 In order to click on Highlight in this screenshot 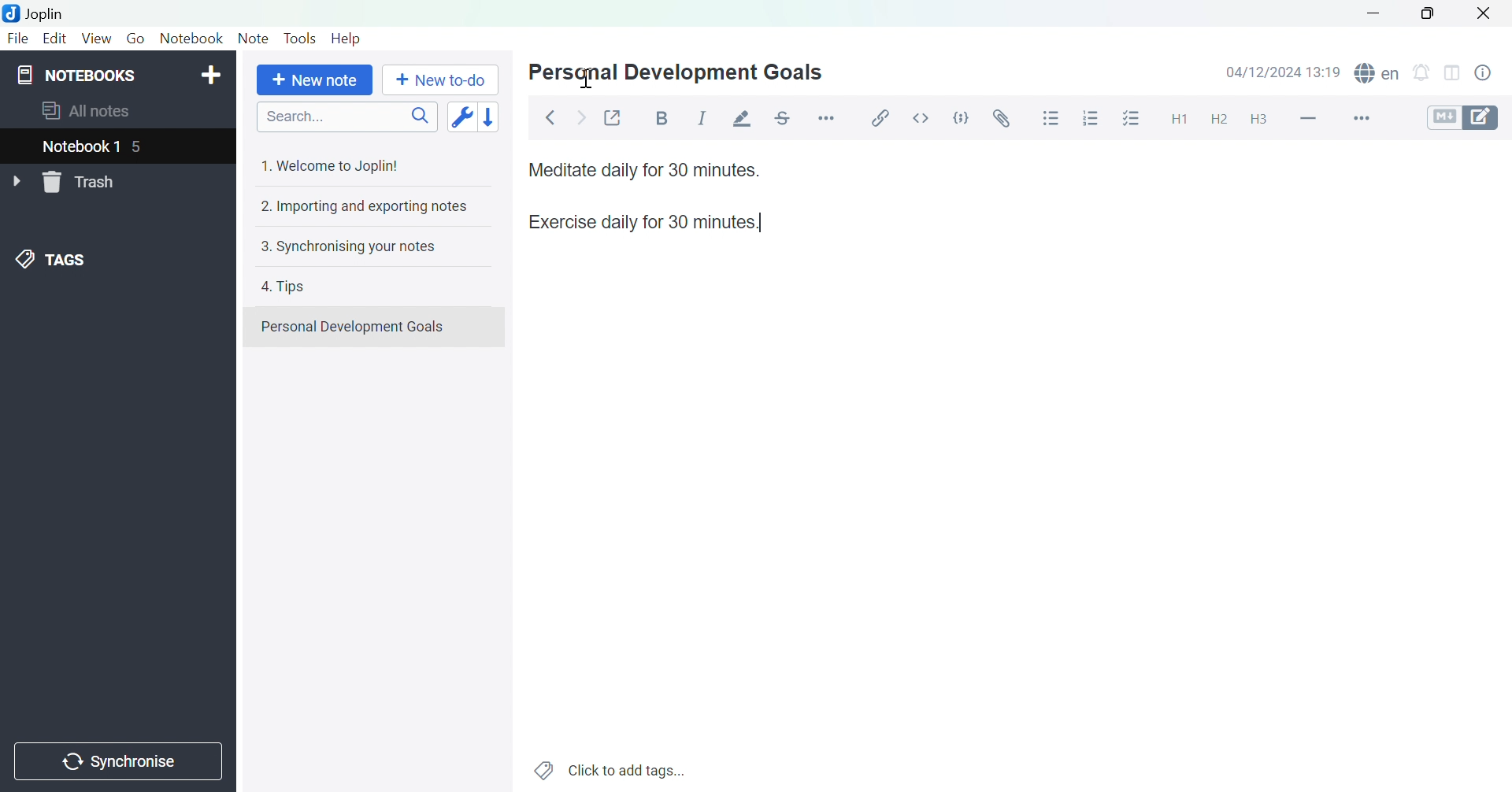, I will do `click(744, 118)`.